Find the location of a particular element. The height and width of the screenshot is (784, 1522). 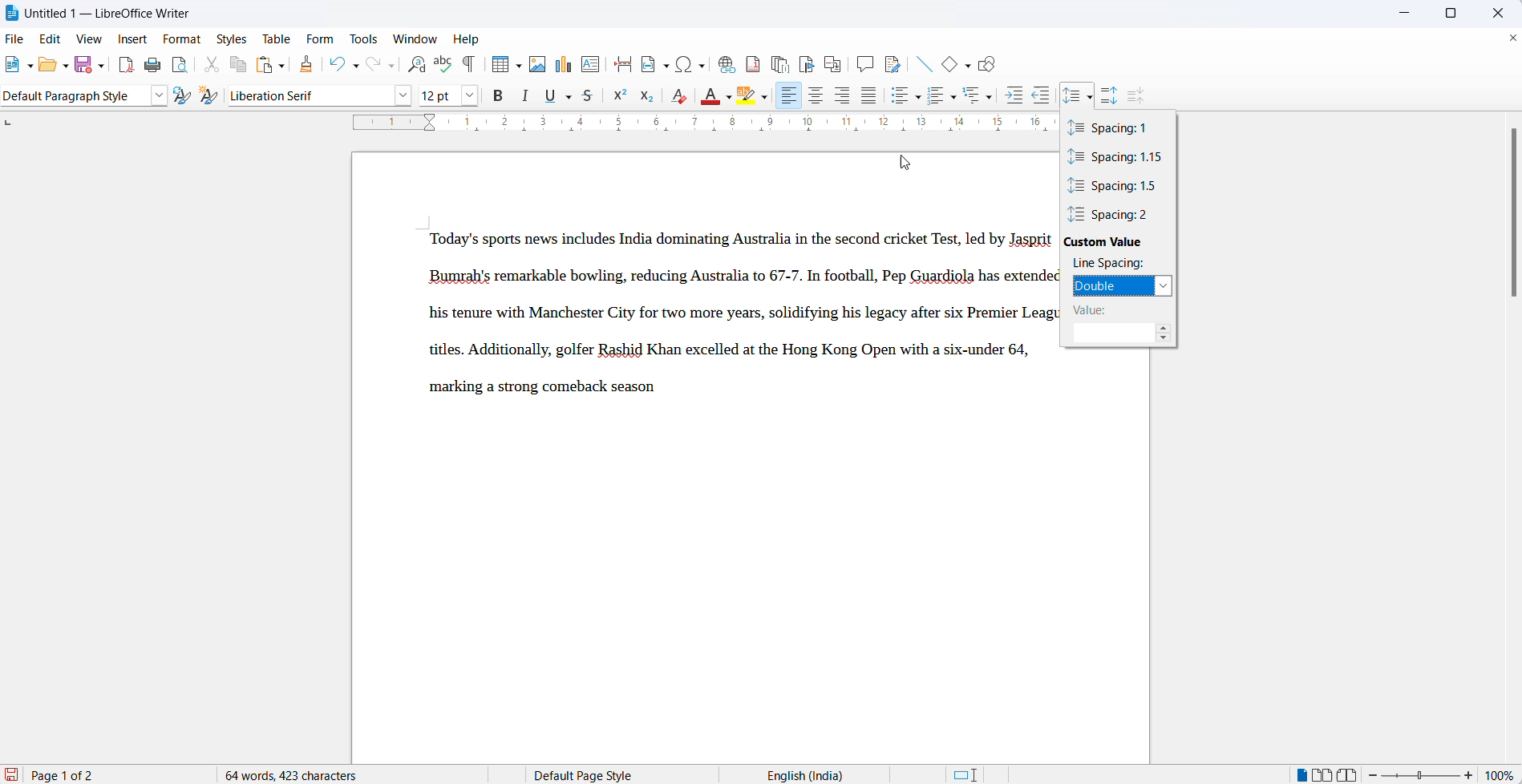

scaling is located at coordinates (694, 127).